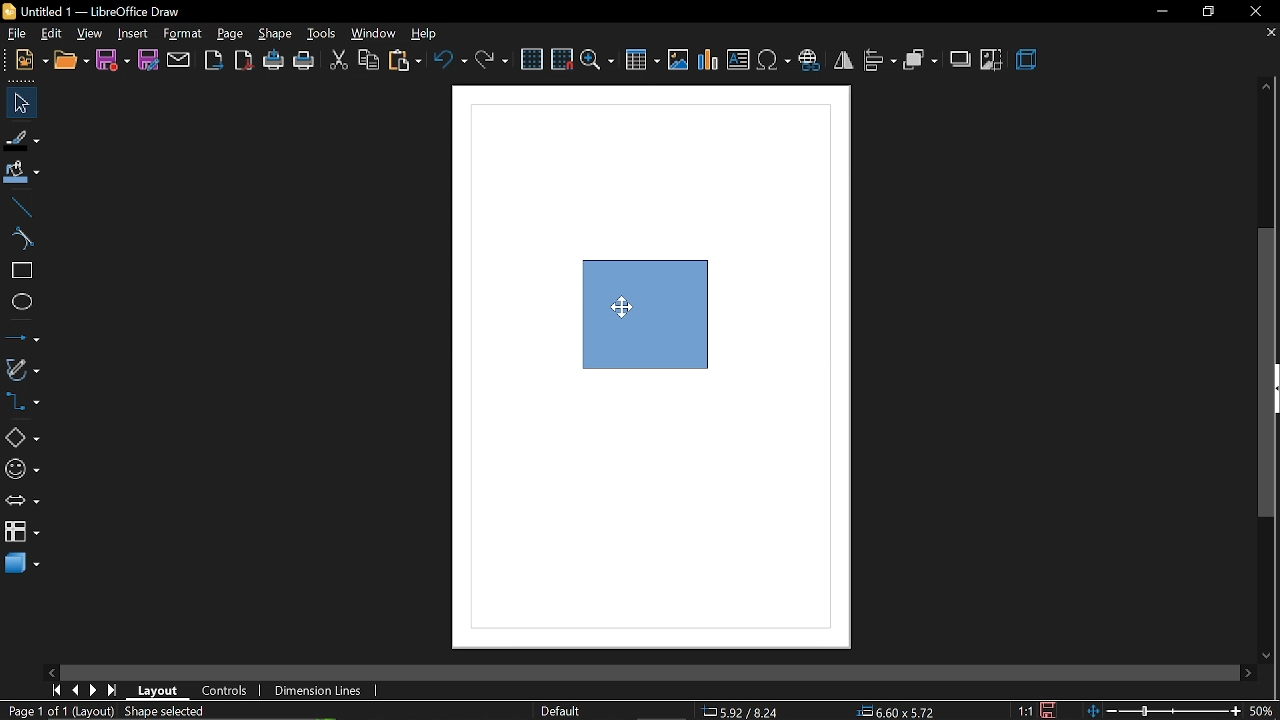 The height and width of the screenshot is (720, 1280). Describe the element at coordinates (150, 61) in the screenshot. I see `save as` at that location.